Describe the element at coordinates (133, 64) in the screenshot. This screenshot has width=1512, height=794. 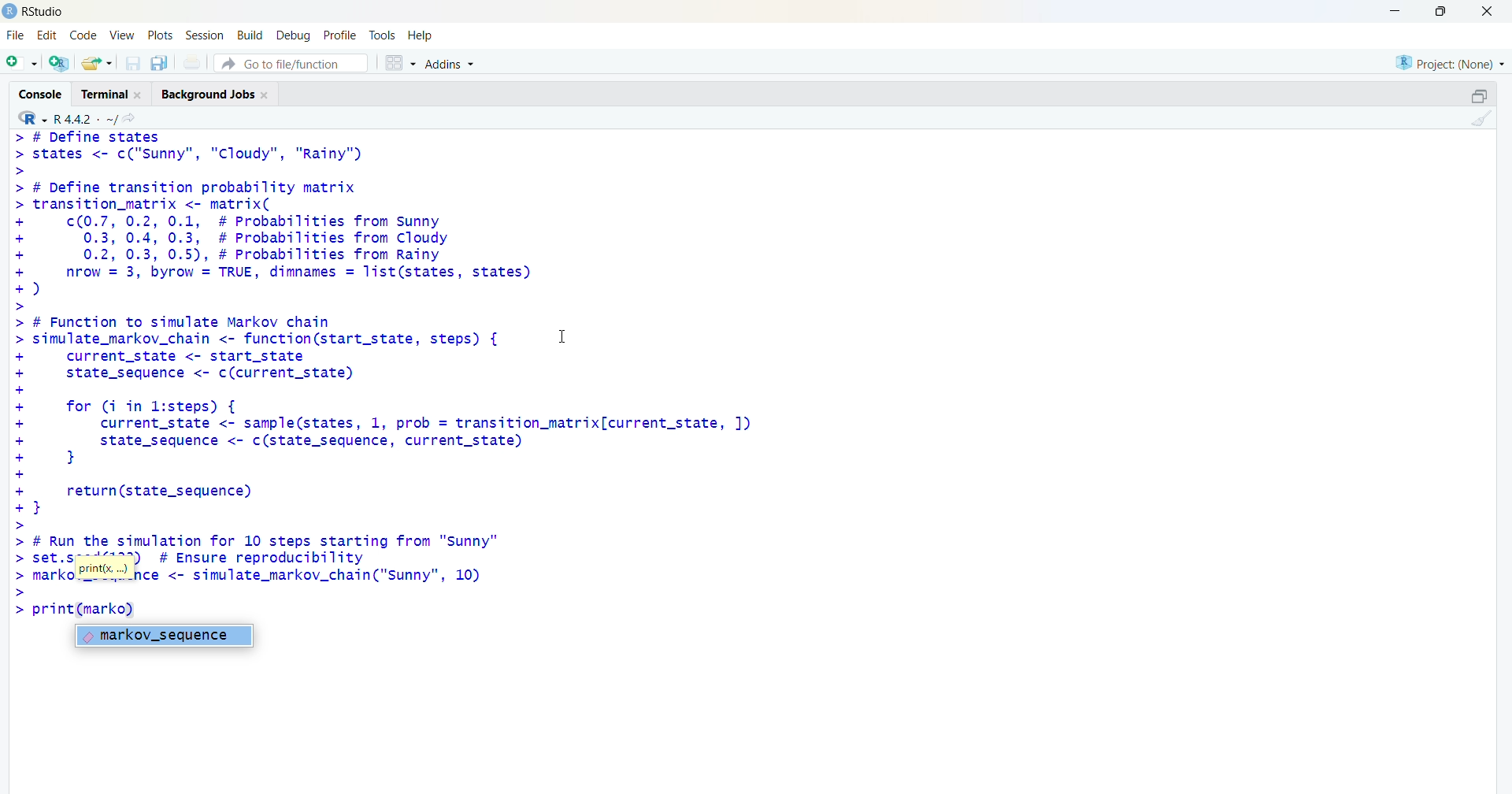
I see `save current document` at that location.